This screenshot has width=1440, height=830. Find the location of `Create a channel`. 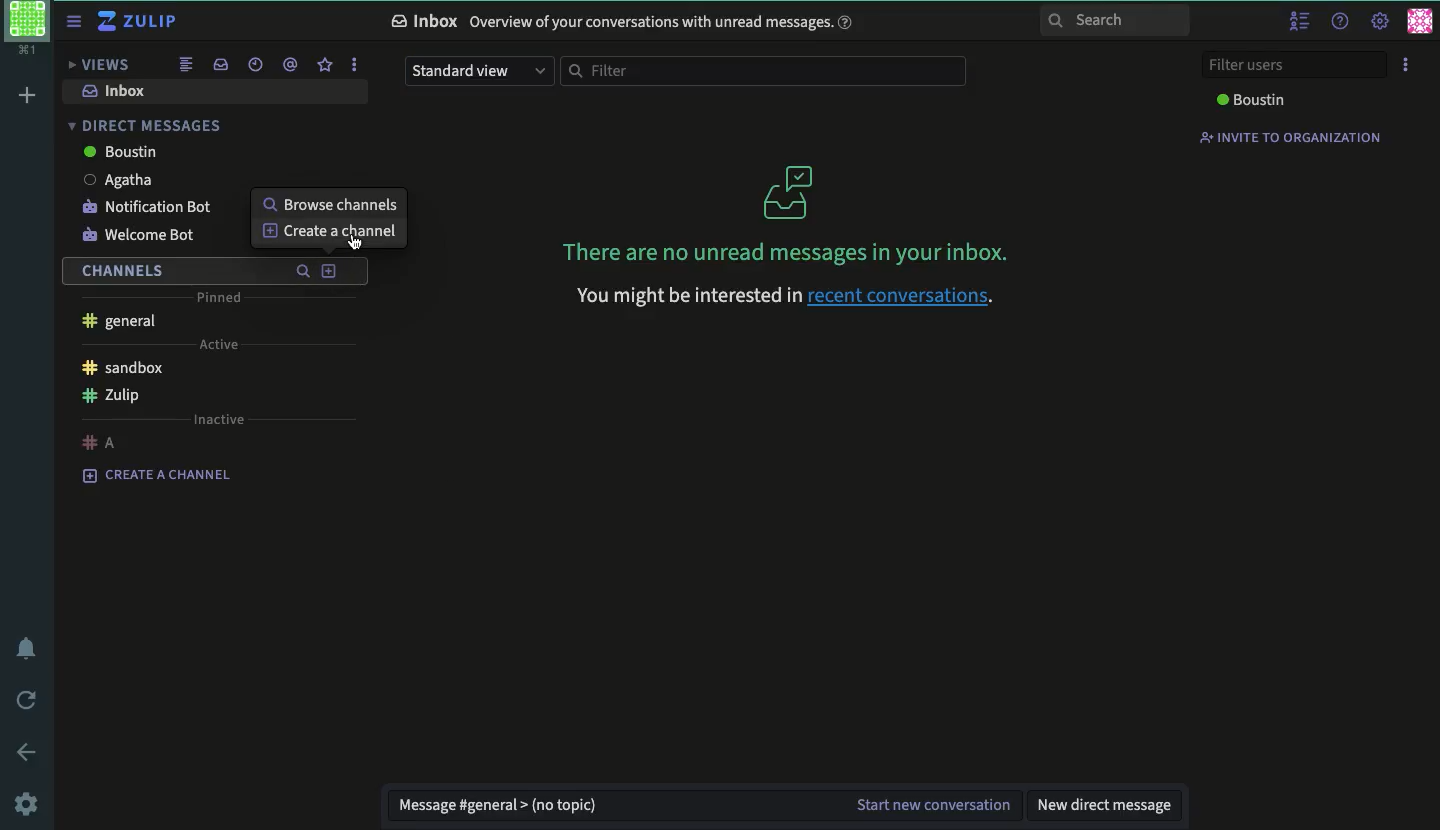

Create a channel is located at coordinates (336, 233).